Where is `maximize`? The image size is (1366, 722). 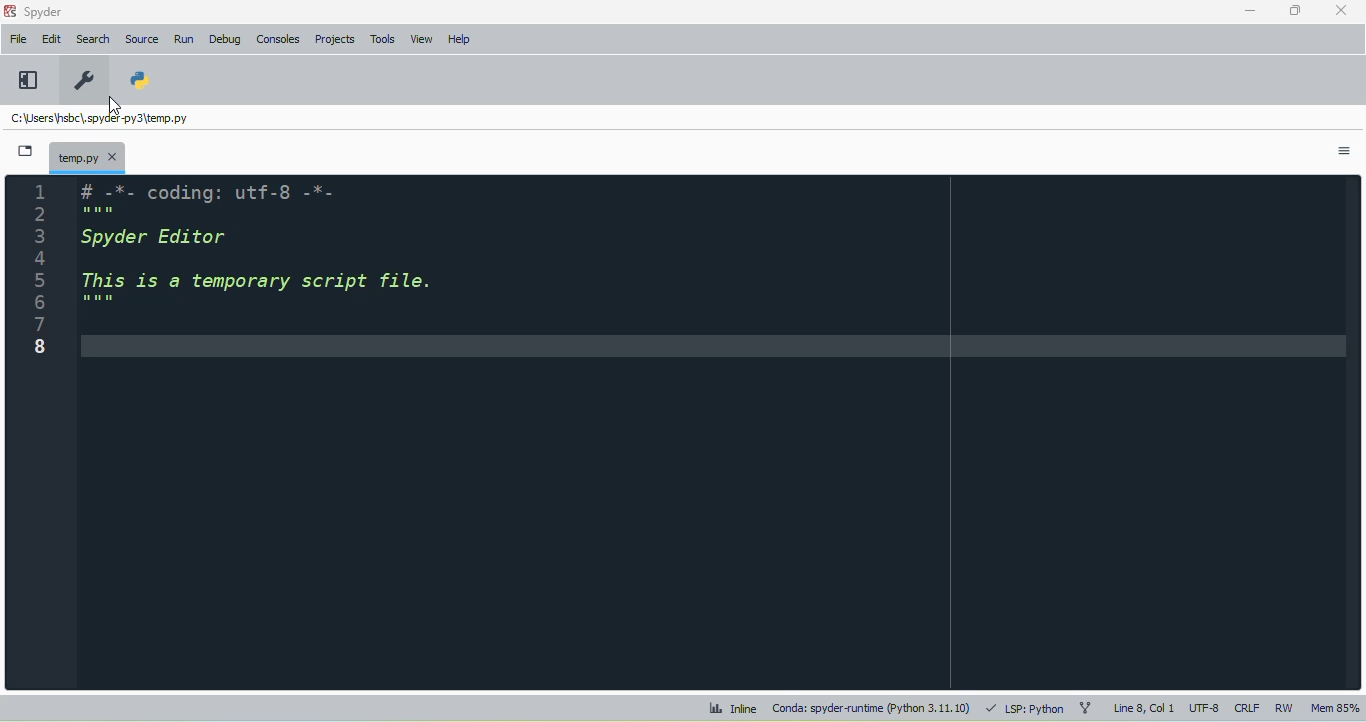 maximize is located at coordinates (1294, 10).